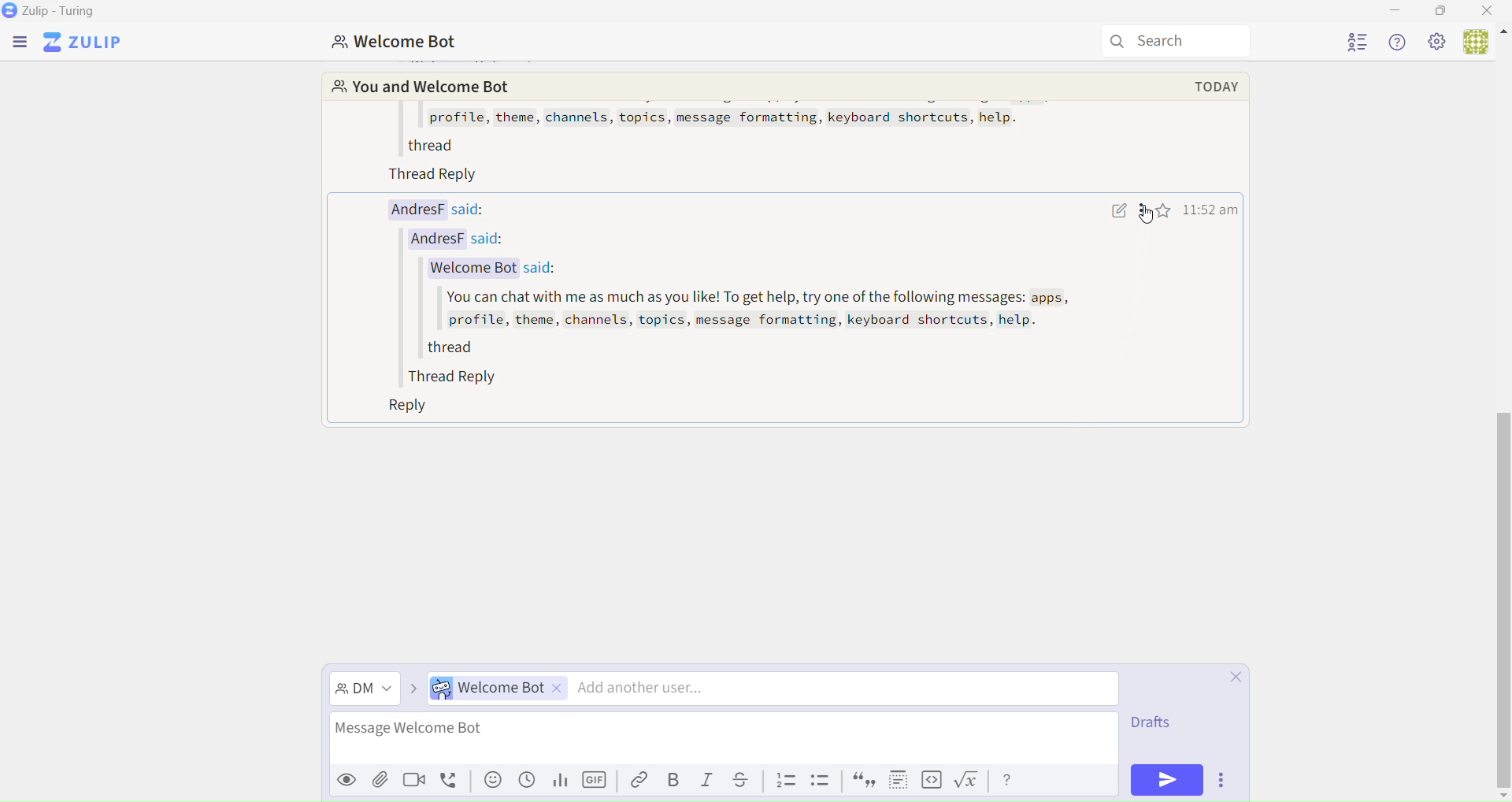 The width and height of the screenshot is (1512, 802). What do you see at coordinates (1147, 724) in the screenshot?
I see `Draft` at bounding box center [1147, 724].